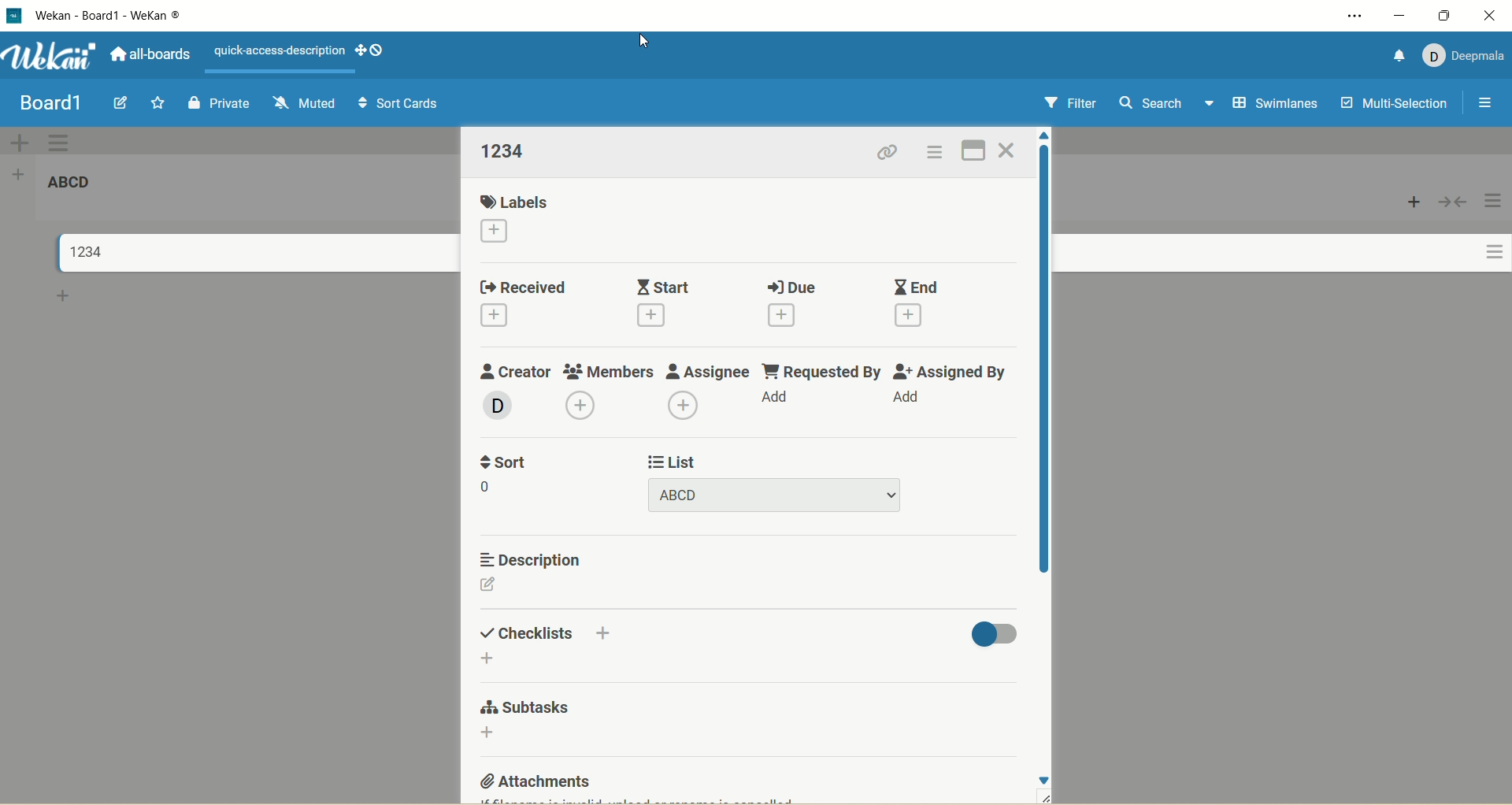 The width and height of the screenshot is (1512, 805). What do you see at coordinates (500, 462) in the screenshot?
I see `sort` at bounding box center [500, 462].